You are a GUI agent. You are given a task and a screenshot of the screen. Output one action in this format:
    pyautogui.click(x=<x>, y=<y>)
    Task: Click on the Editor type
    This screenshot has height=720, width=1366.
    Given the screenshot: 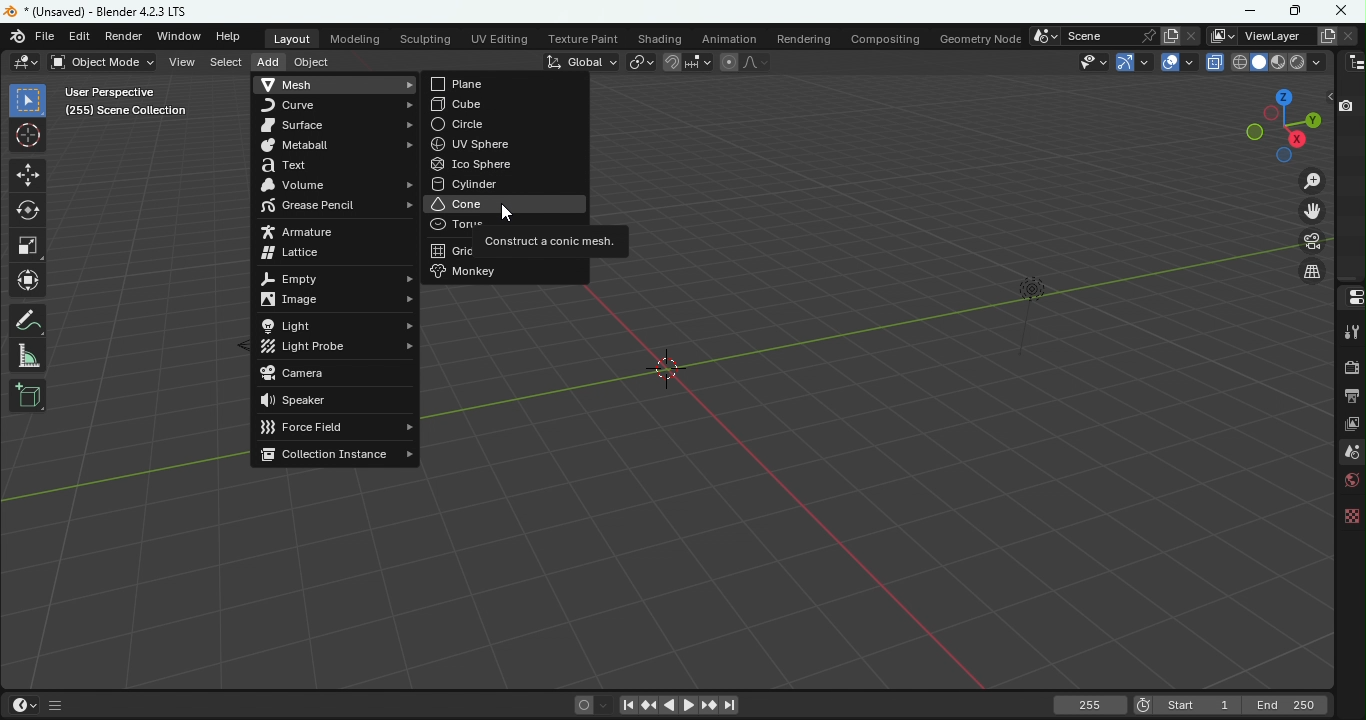 What is the action you would take?
    pyautogui.click(x=25, y=62)
    